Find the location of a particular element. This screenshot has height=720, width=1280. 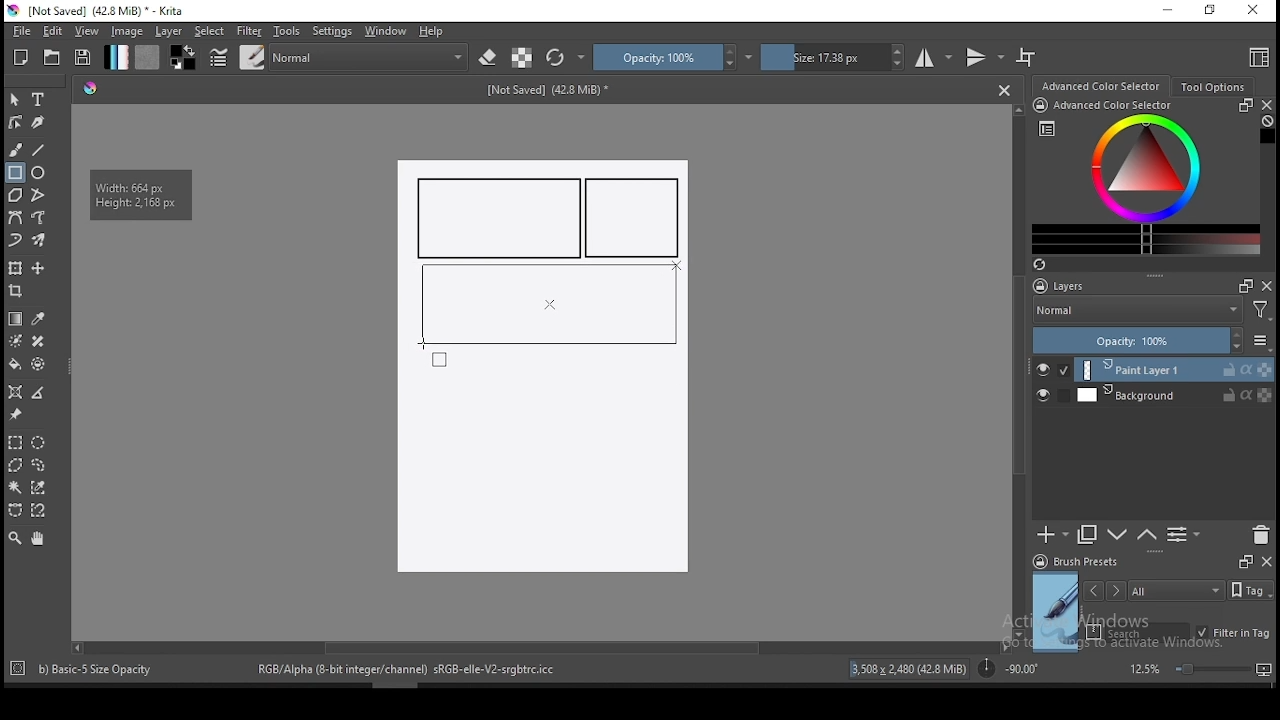

open is located at coordinates (52, 57).